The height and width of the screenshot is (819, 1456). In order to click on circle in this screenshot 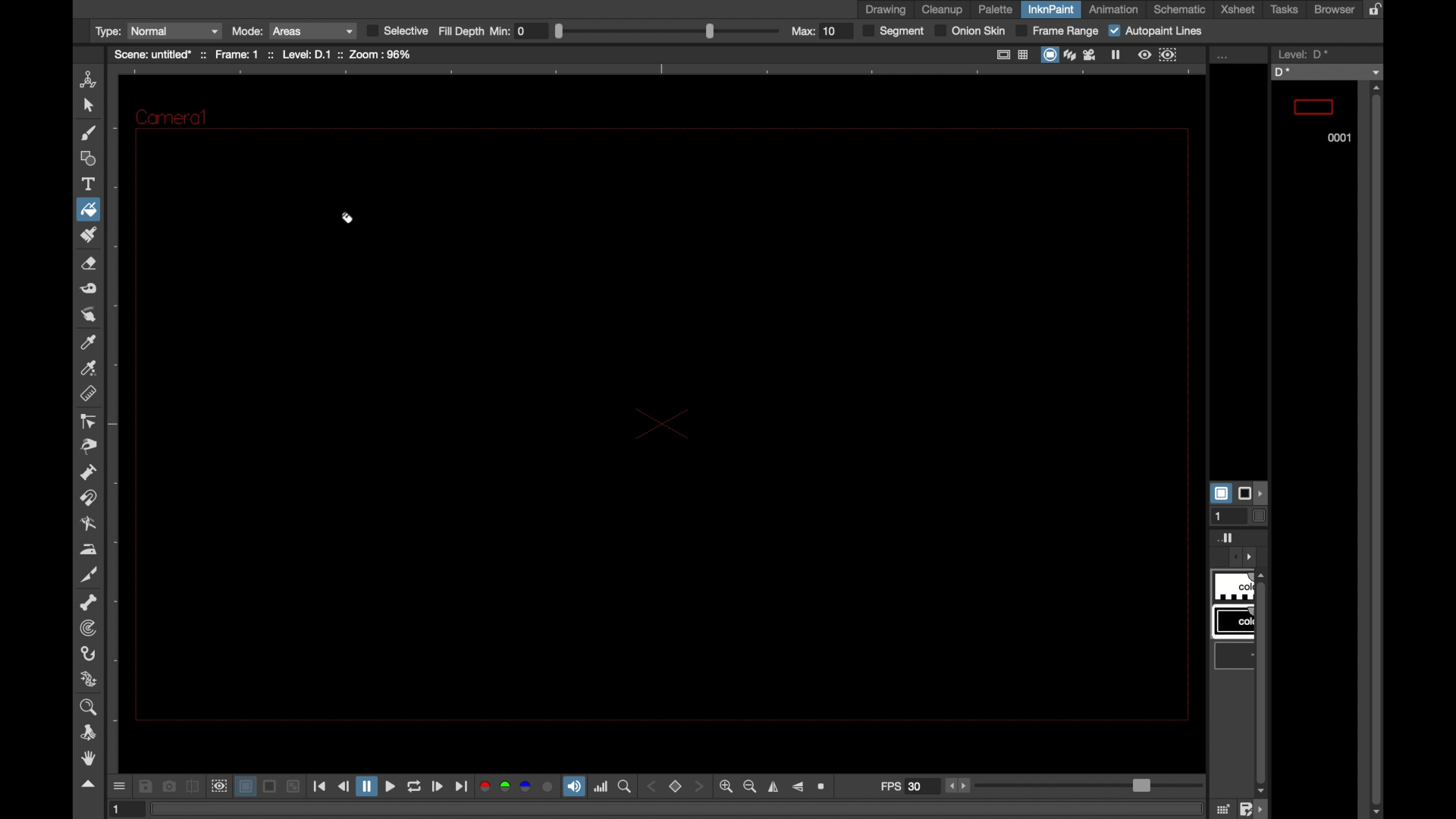, I will do `click(548, 786)`.